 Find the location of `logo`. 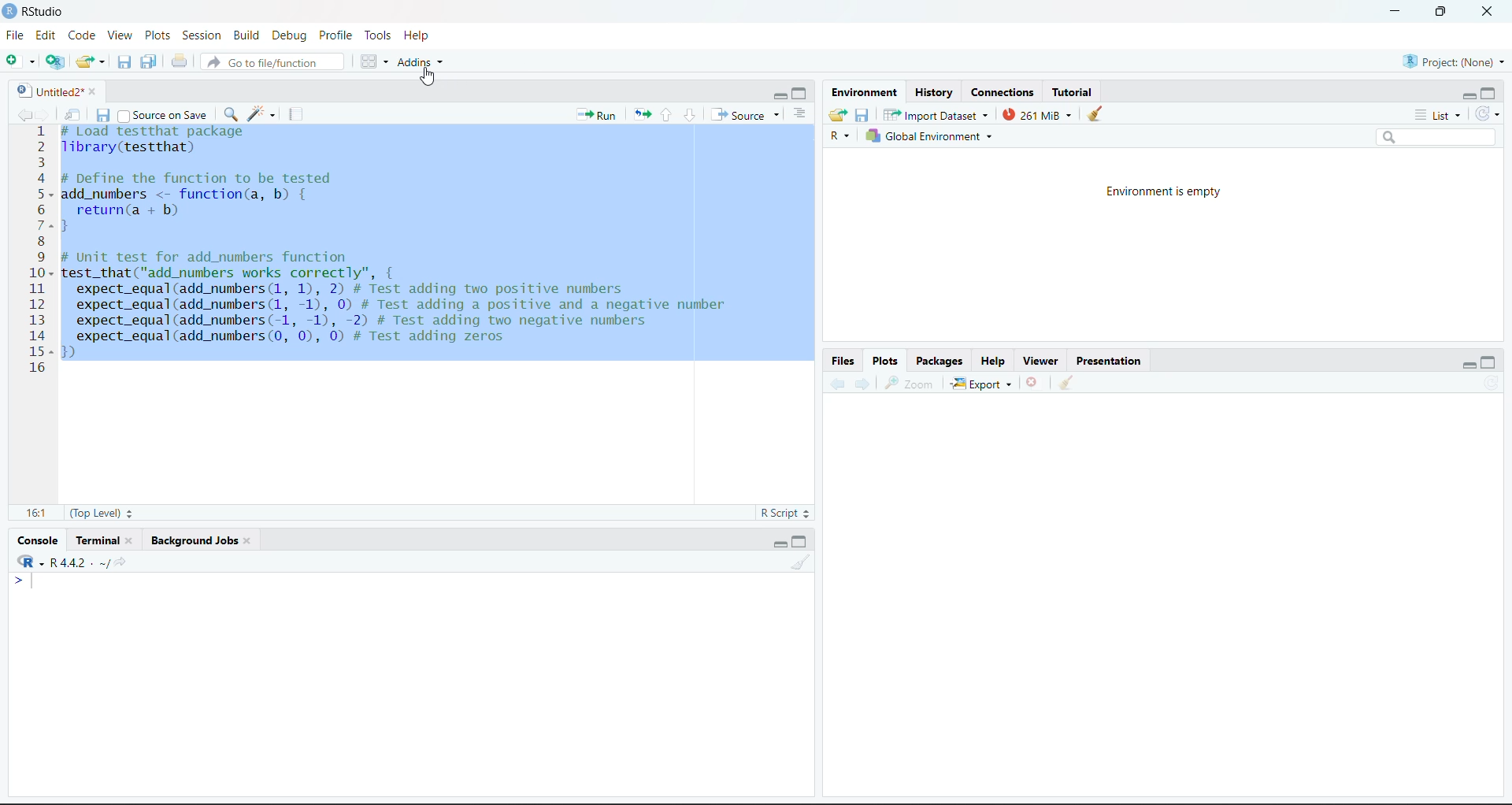

logo is located at coordinates (9, 11).